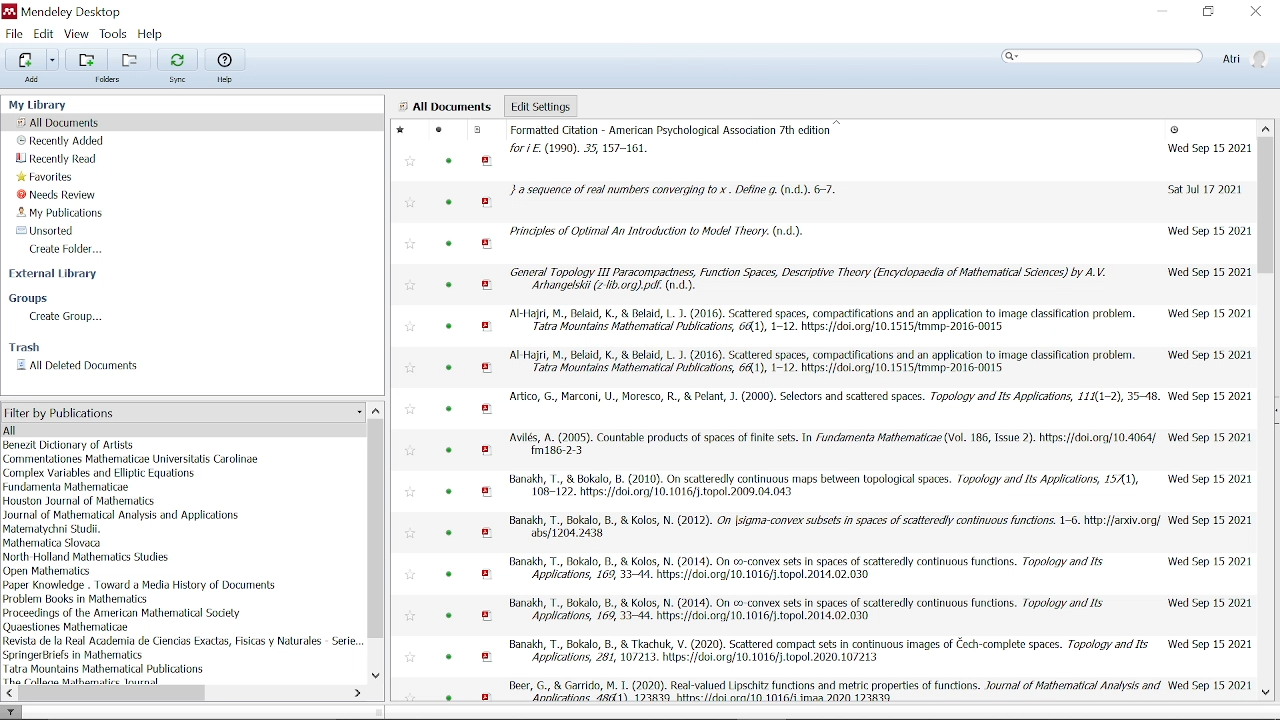 The height and width of the screenshot is (720, 1280). What do you see at coordinates (485, 695) in the screenshot?
I see `pdf` at bounding box center [485, 695].